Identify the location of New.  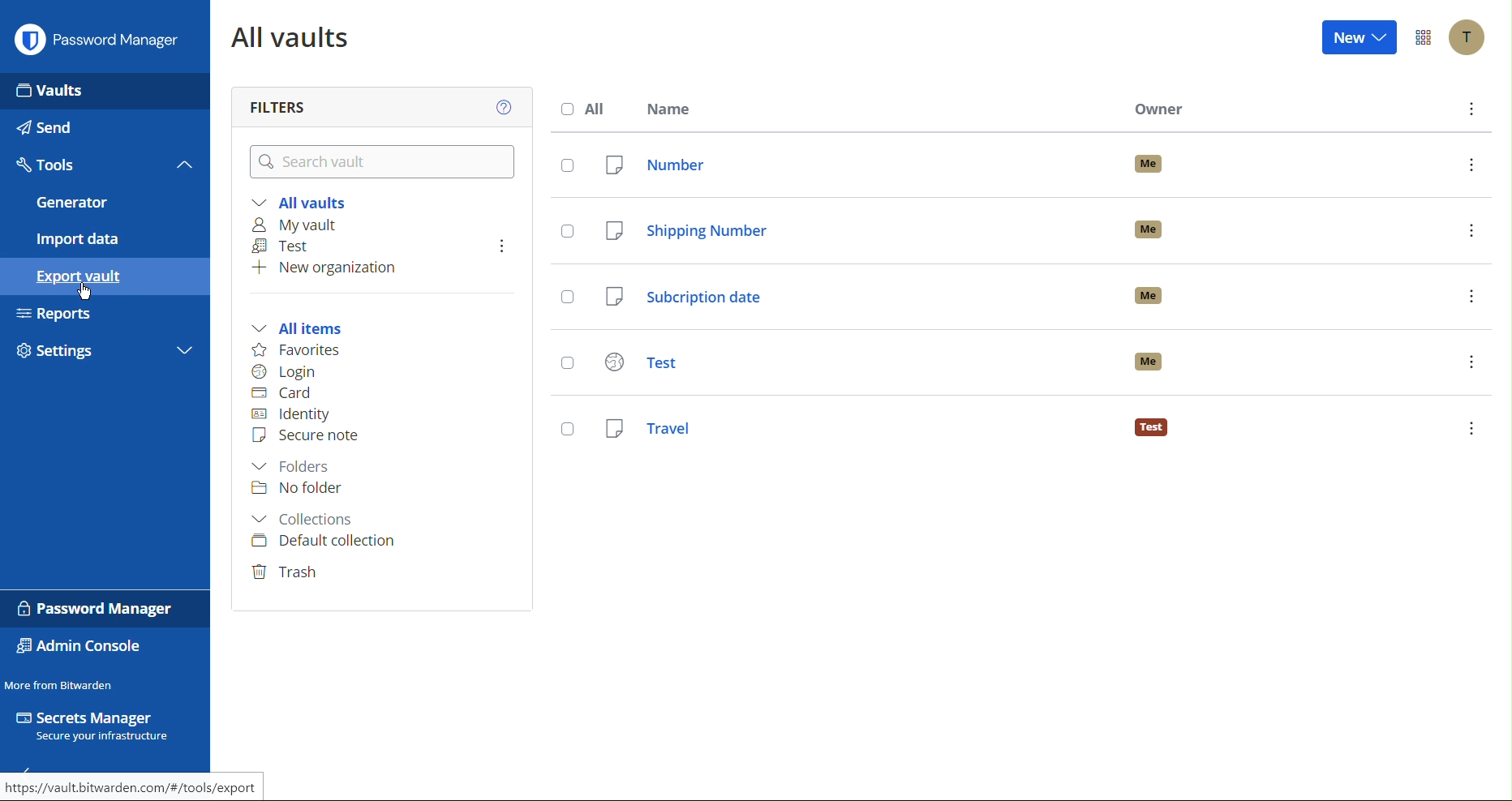
(1362, 40).